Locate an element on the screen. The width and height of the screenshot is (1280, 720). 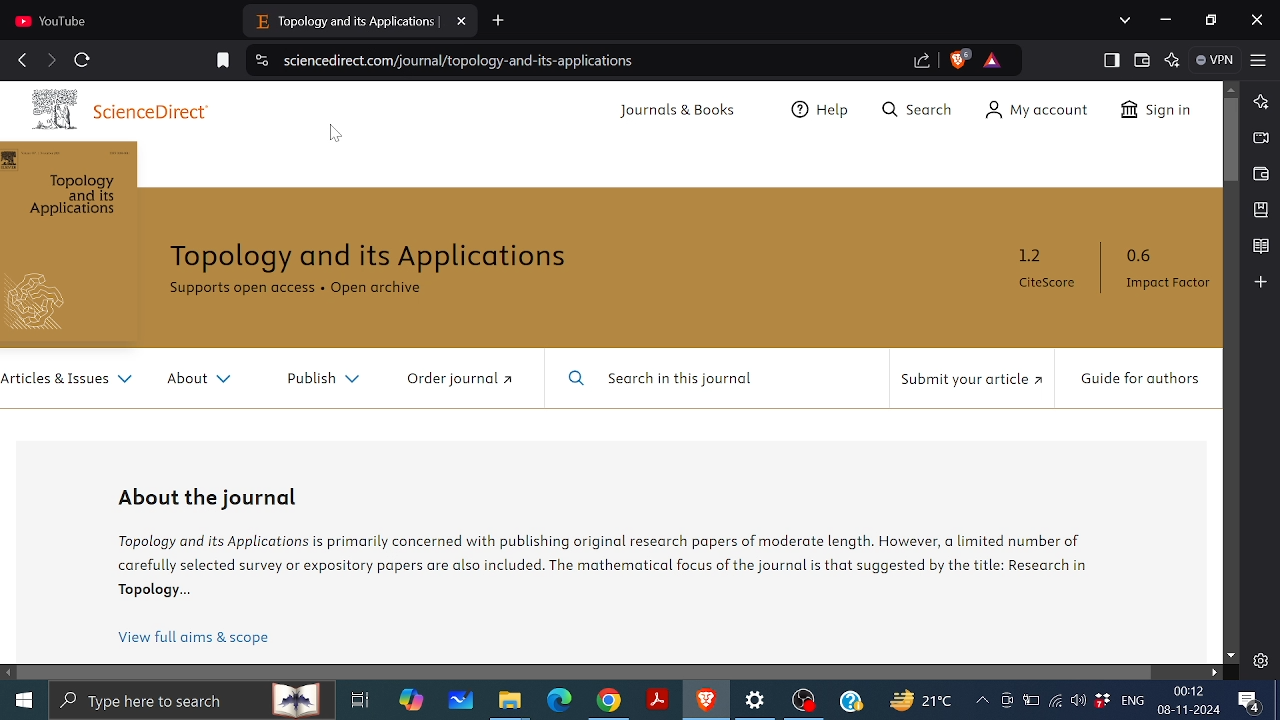
Brave browser is located at coordinates (706, 700).